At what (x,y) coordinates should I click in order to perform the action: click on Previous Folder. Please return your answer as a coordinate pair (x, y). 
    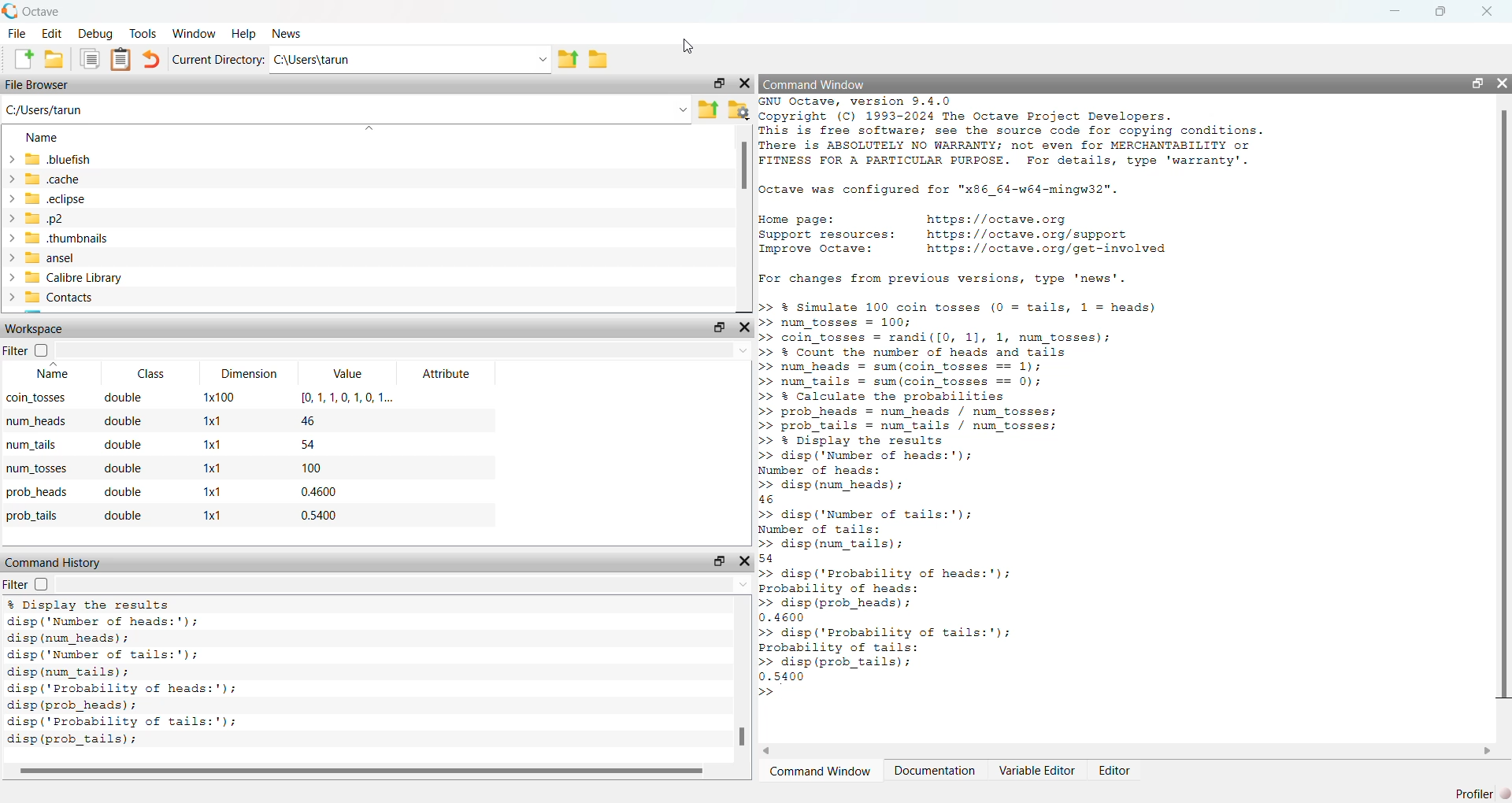
    Looking at the image, I should click on (706, 111).